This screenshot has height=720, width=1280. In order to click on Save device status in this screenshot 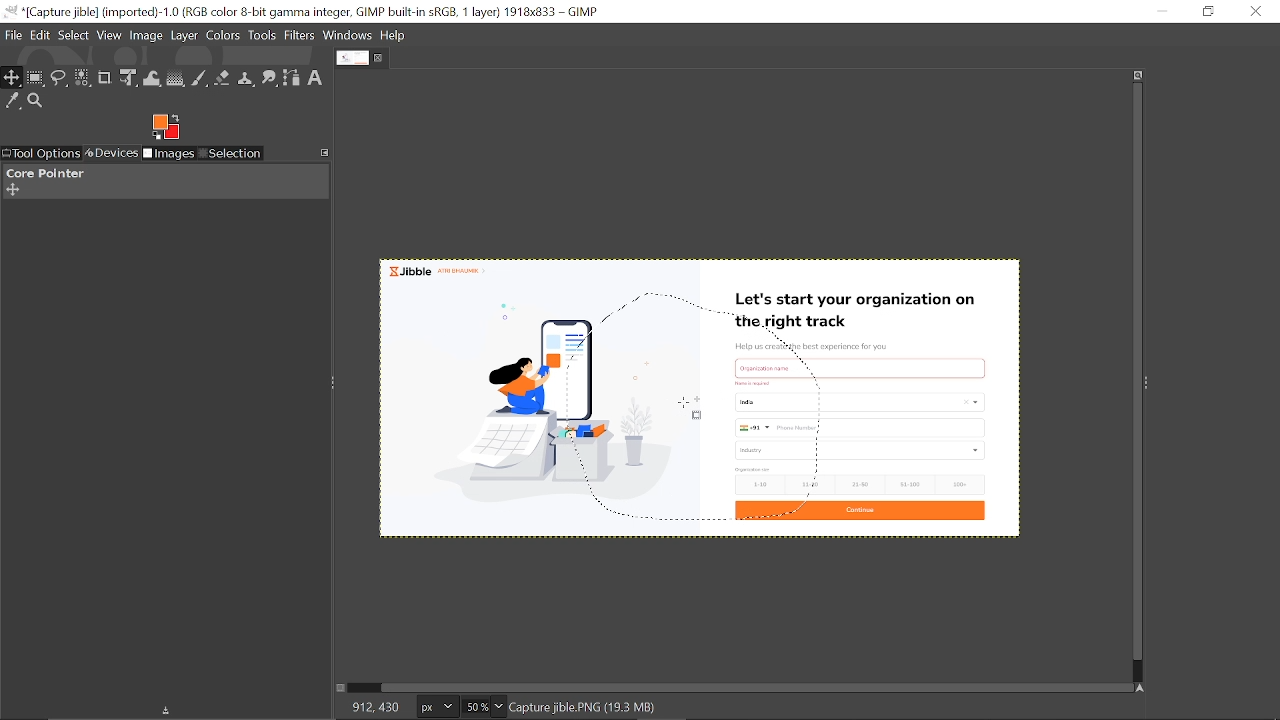, I will do `click(170, 712)`.